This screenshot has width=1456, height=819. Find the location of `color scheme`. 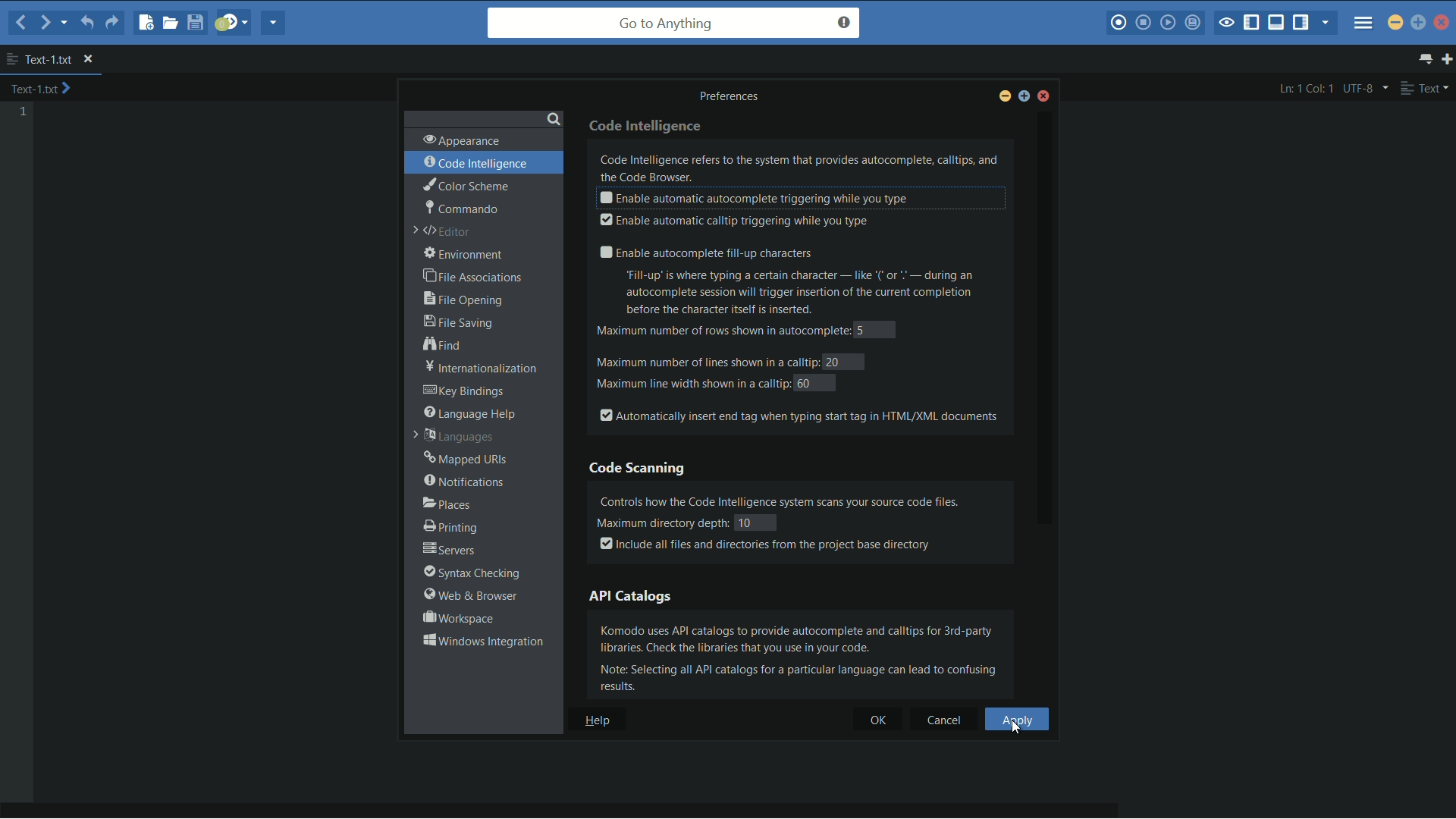

color scheme is located at coordinates (465, 185).